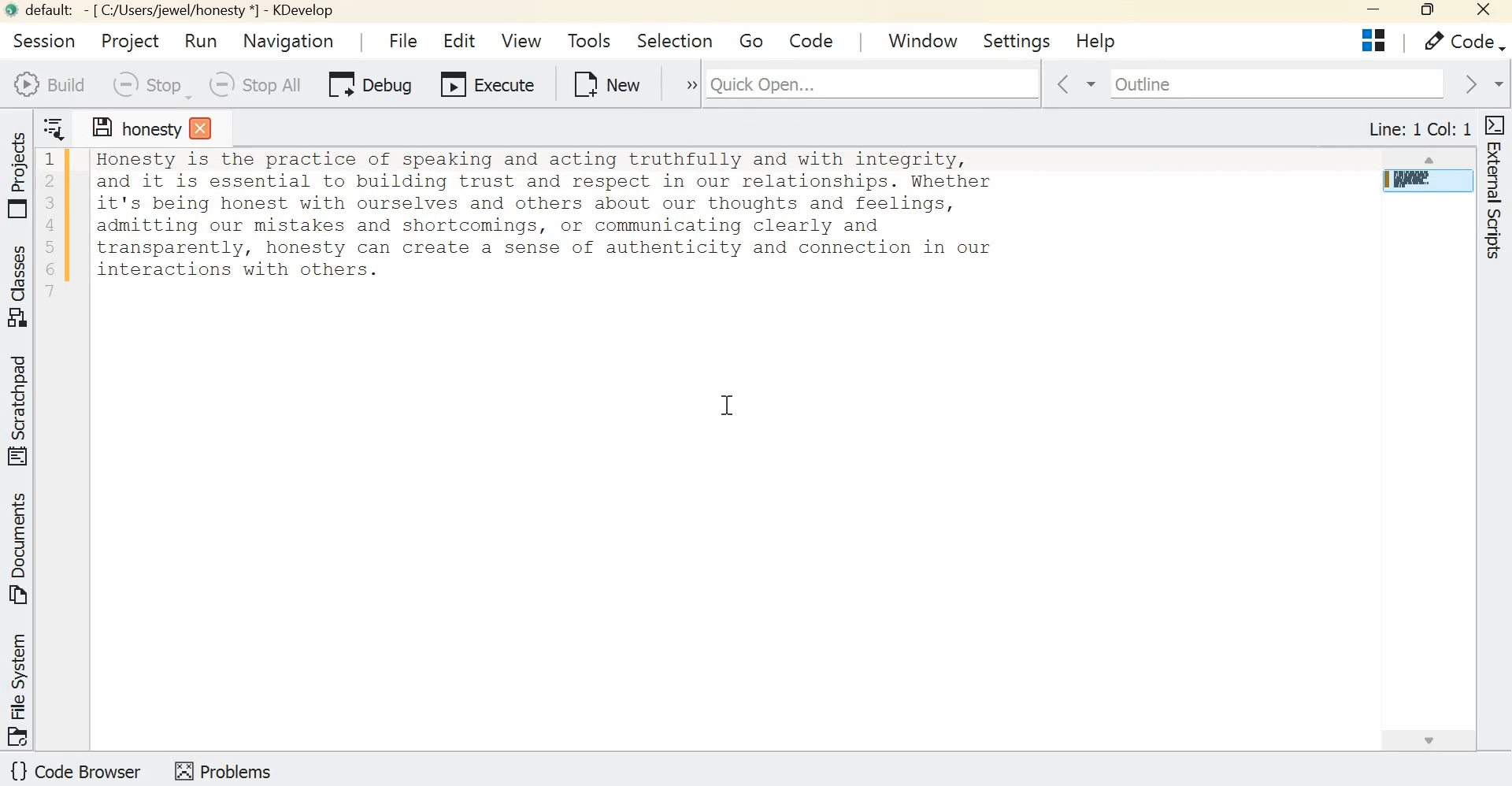  Describe the element at coordinates (752, 43) in the screenshot. I see `Go` at that location.